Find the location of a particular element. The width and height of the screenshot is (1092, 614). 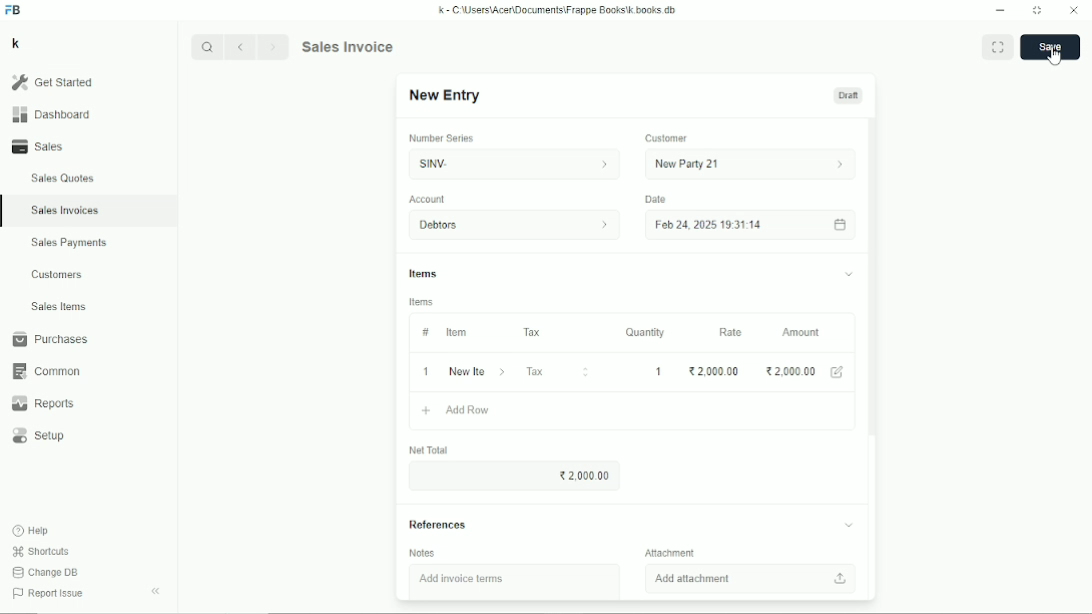

Attachment is located at coordinates (670, 553).